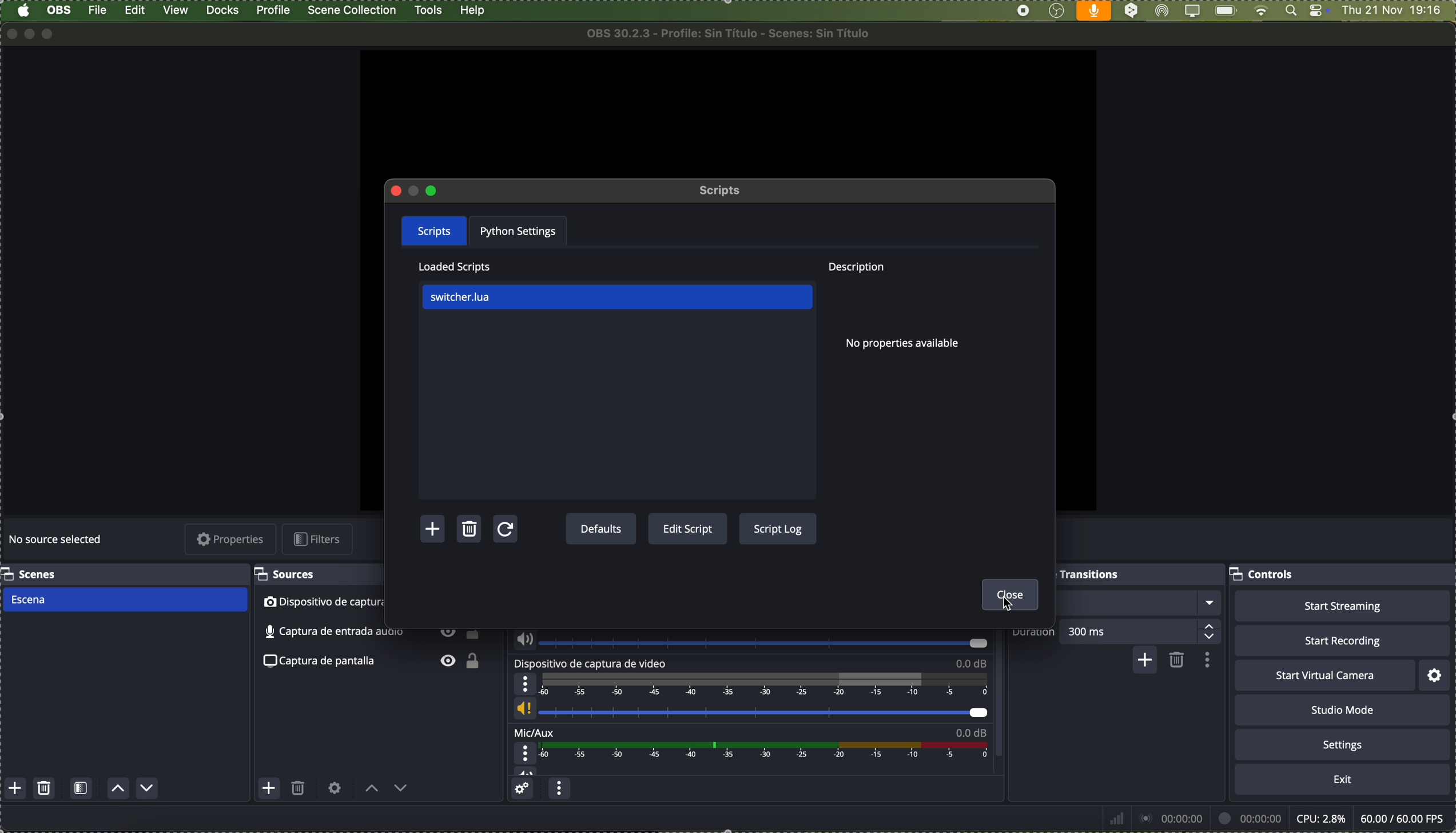 This screenshot has height=833, width=1456. I want to click on docks, so click(223, 11).